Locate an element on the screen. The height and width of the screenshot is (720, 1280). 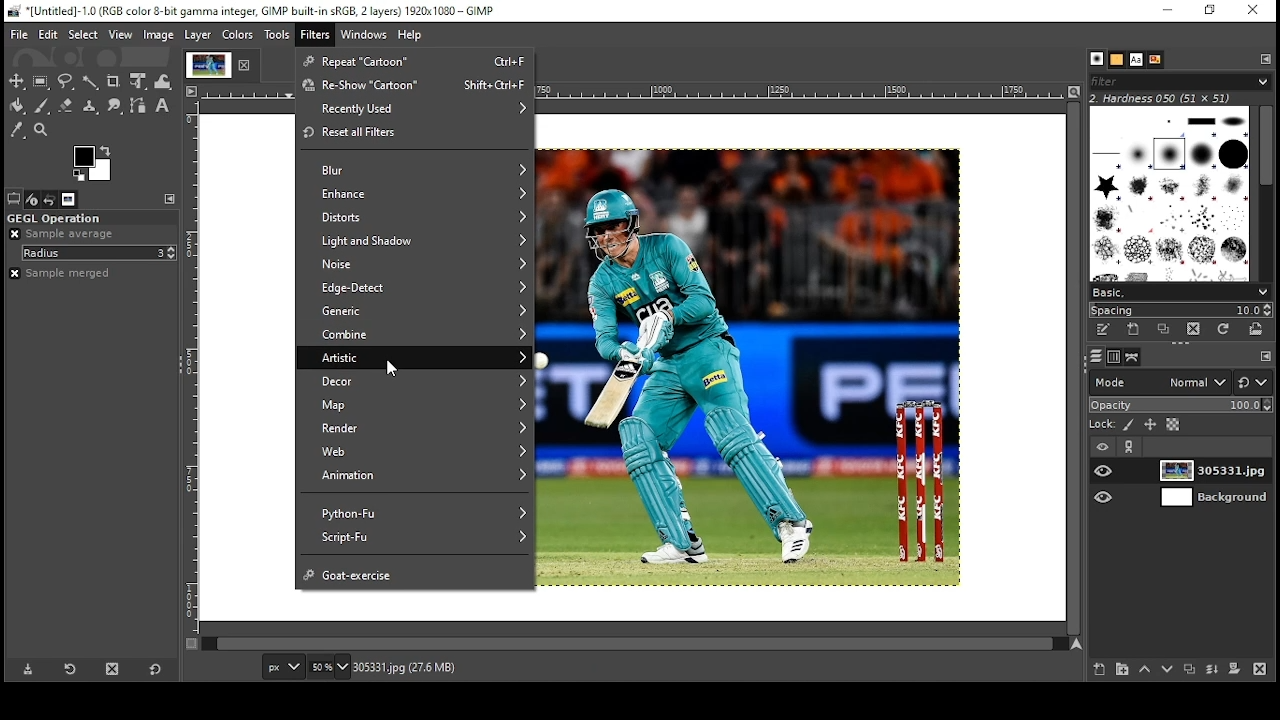
lock pixels is located at coordinates (1128, 425).